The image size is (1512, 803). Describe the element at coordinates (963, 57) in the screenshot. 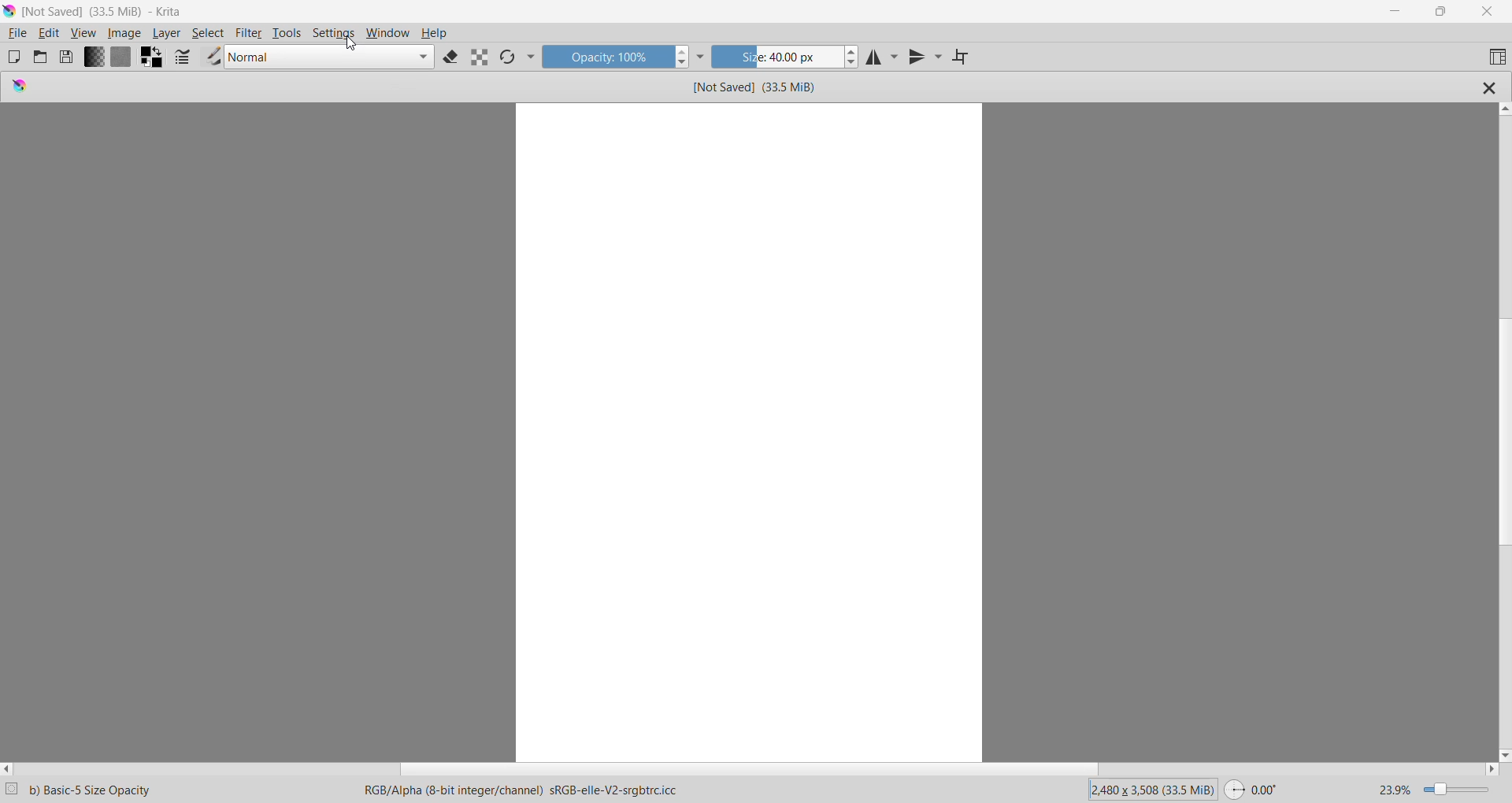

I see `Wrap around Mode` at that location.